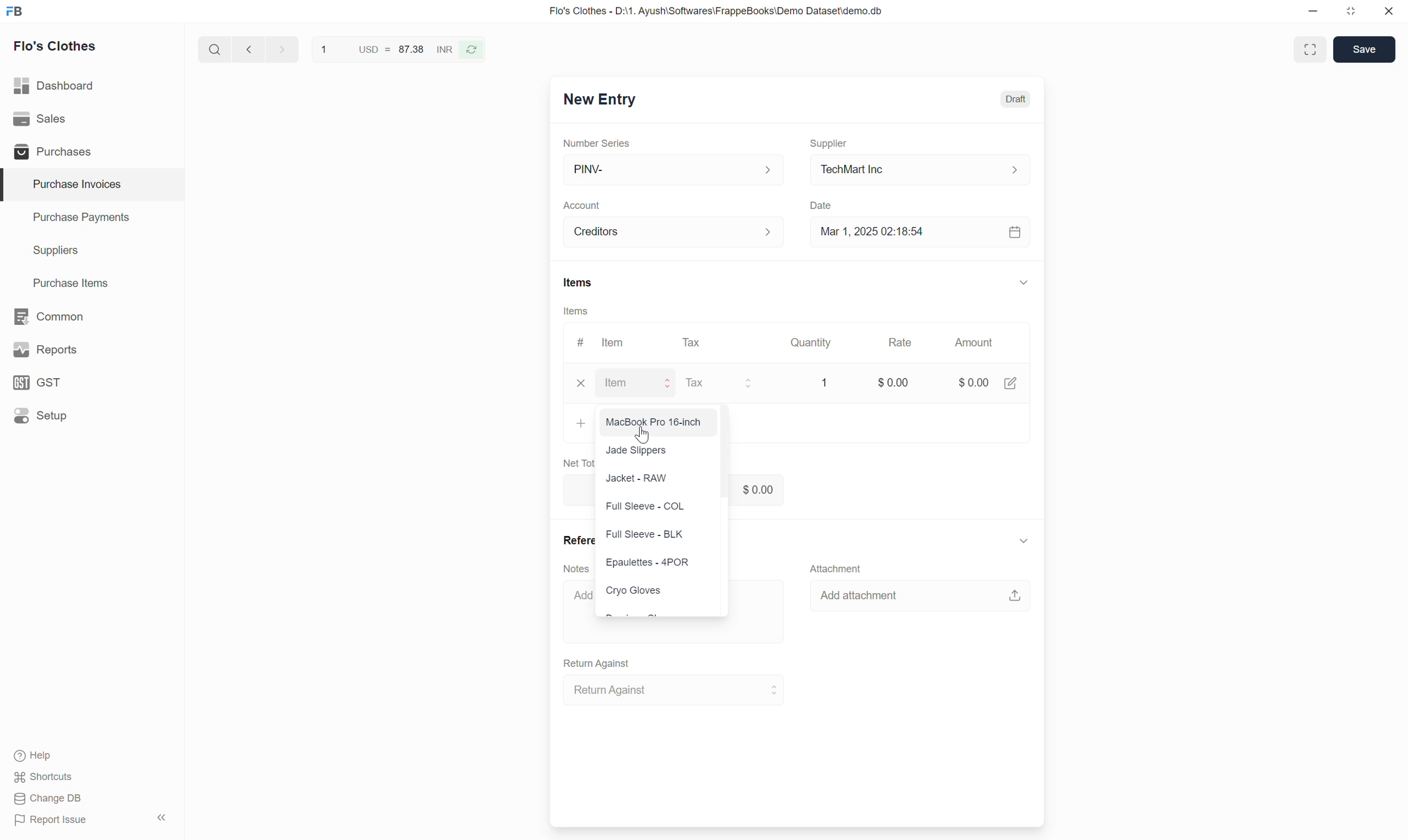 The width and height of the screenshot is (1408, 840). I want to click on Report Issue, so click(52, 820).